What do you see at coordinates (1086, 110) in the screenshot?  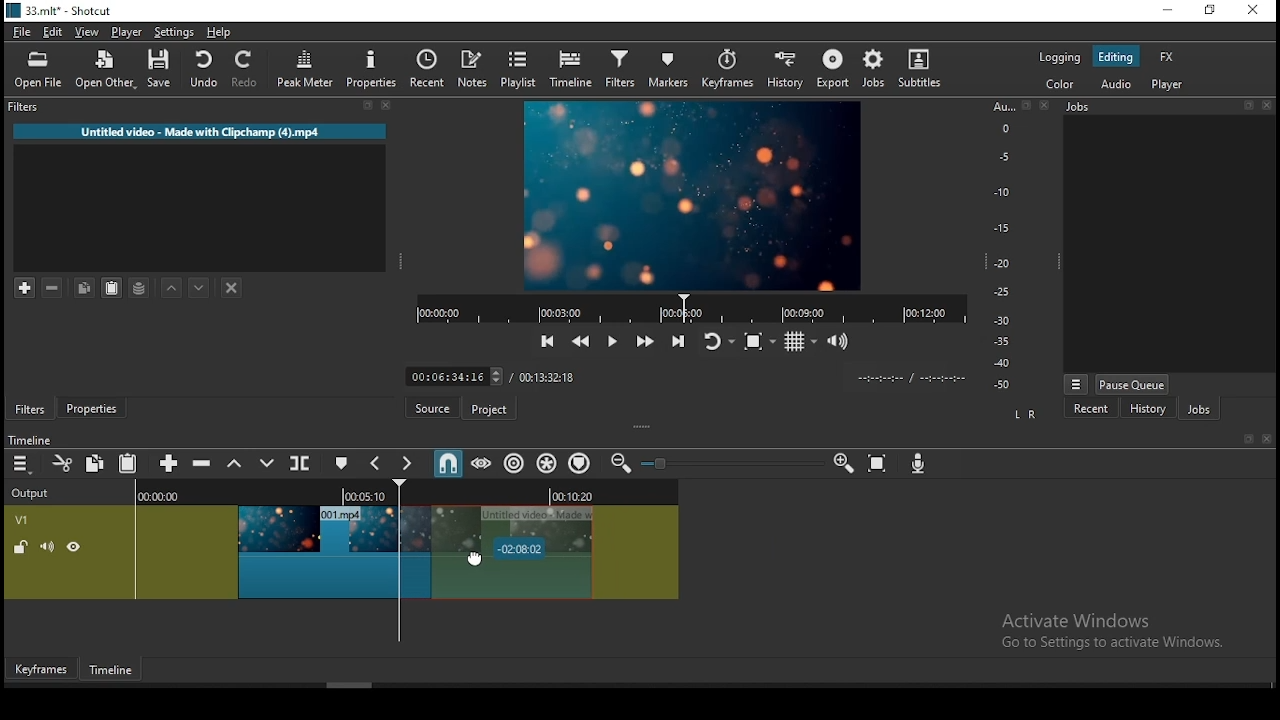 I see `Jobs` at bounding box center [1086, 110].